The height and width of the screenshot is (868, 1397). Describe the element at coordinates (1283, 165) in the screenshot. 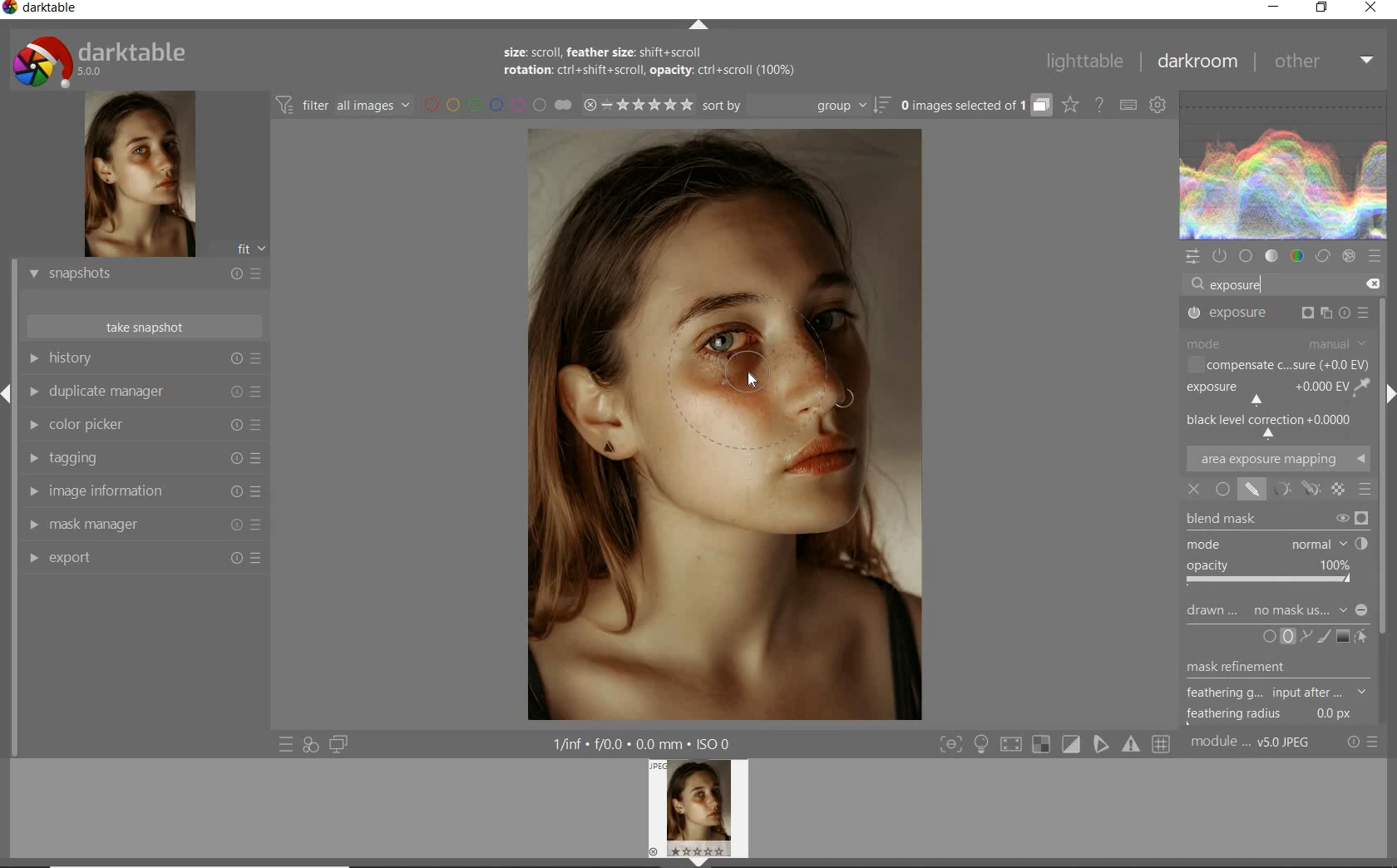

I see `WAVEFORM` at that location.